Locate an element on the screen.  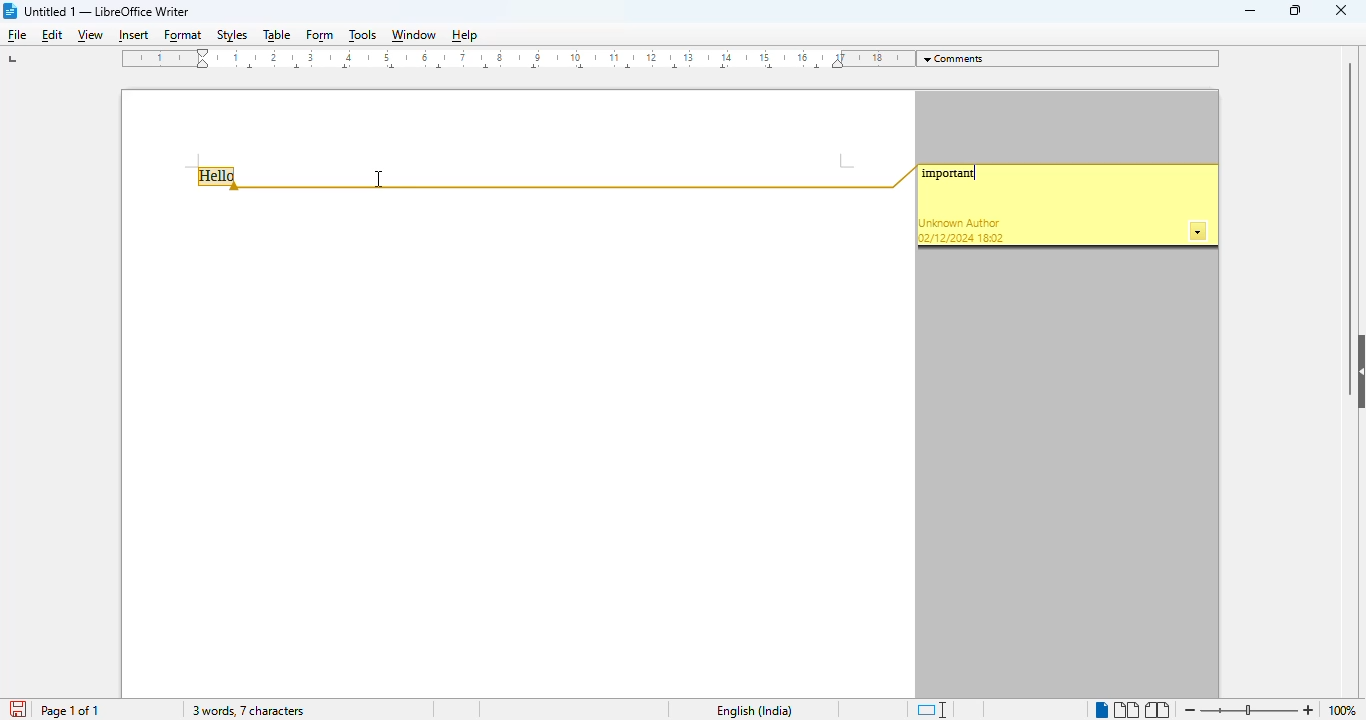
standard selection is located at coordinates (932, 709).